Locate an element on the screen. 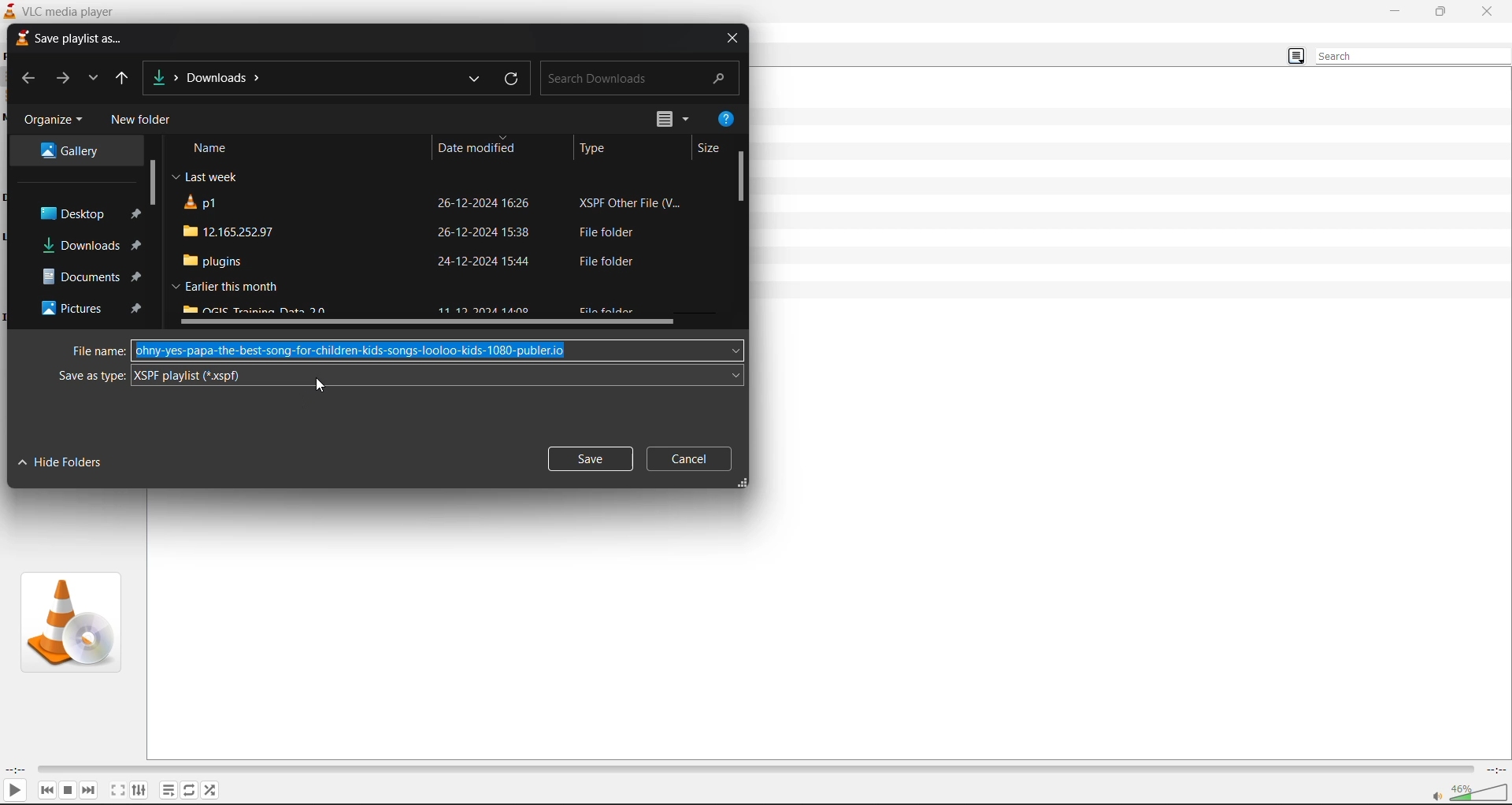 The image size is (1512, 805). close is located at coordinates (1490, 11).